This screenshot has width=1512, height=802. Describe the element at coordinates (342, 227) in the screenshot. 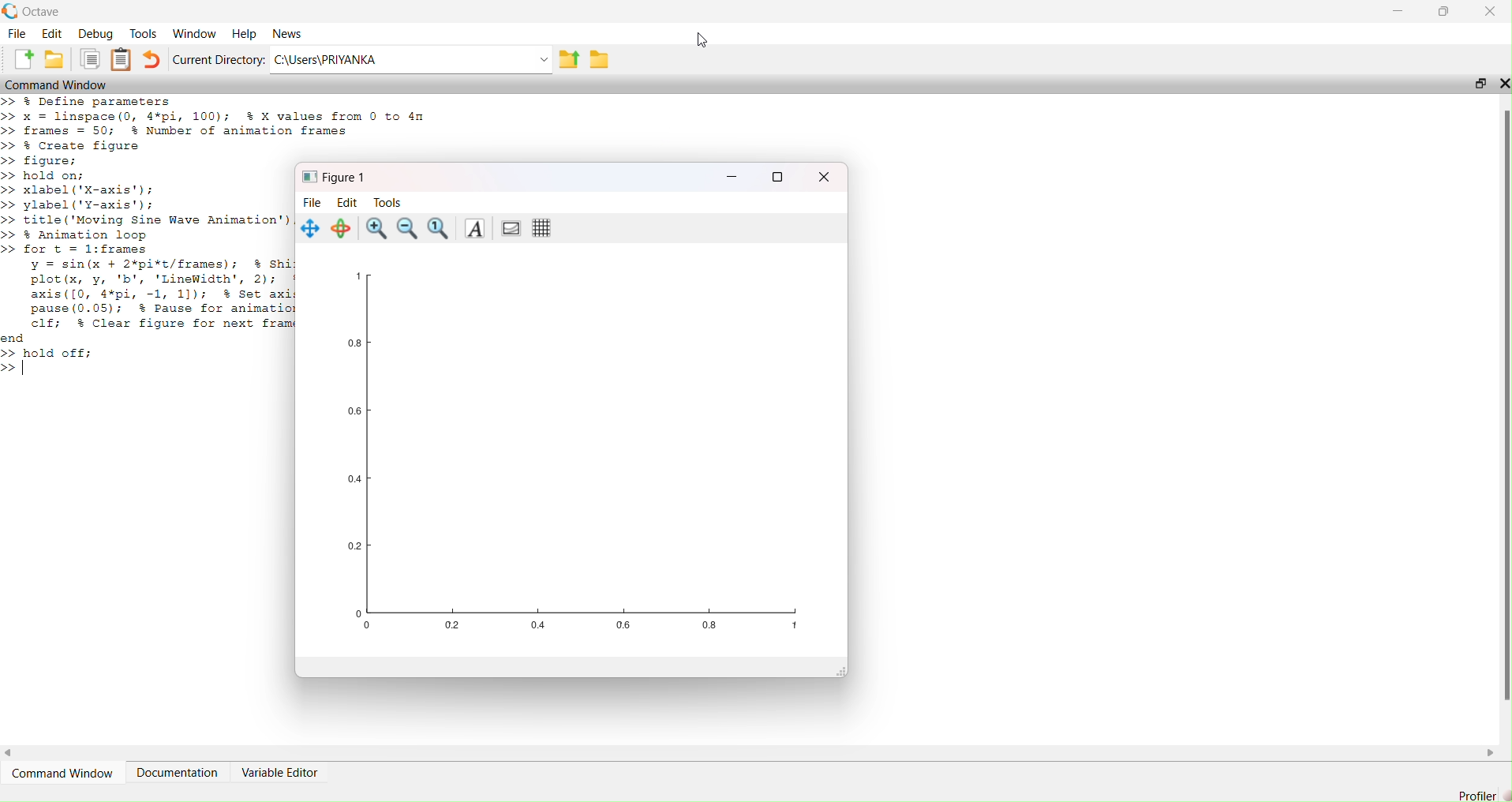

I see `rotate` at that location.